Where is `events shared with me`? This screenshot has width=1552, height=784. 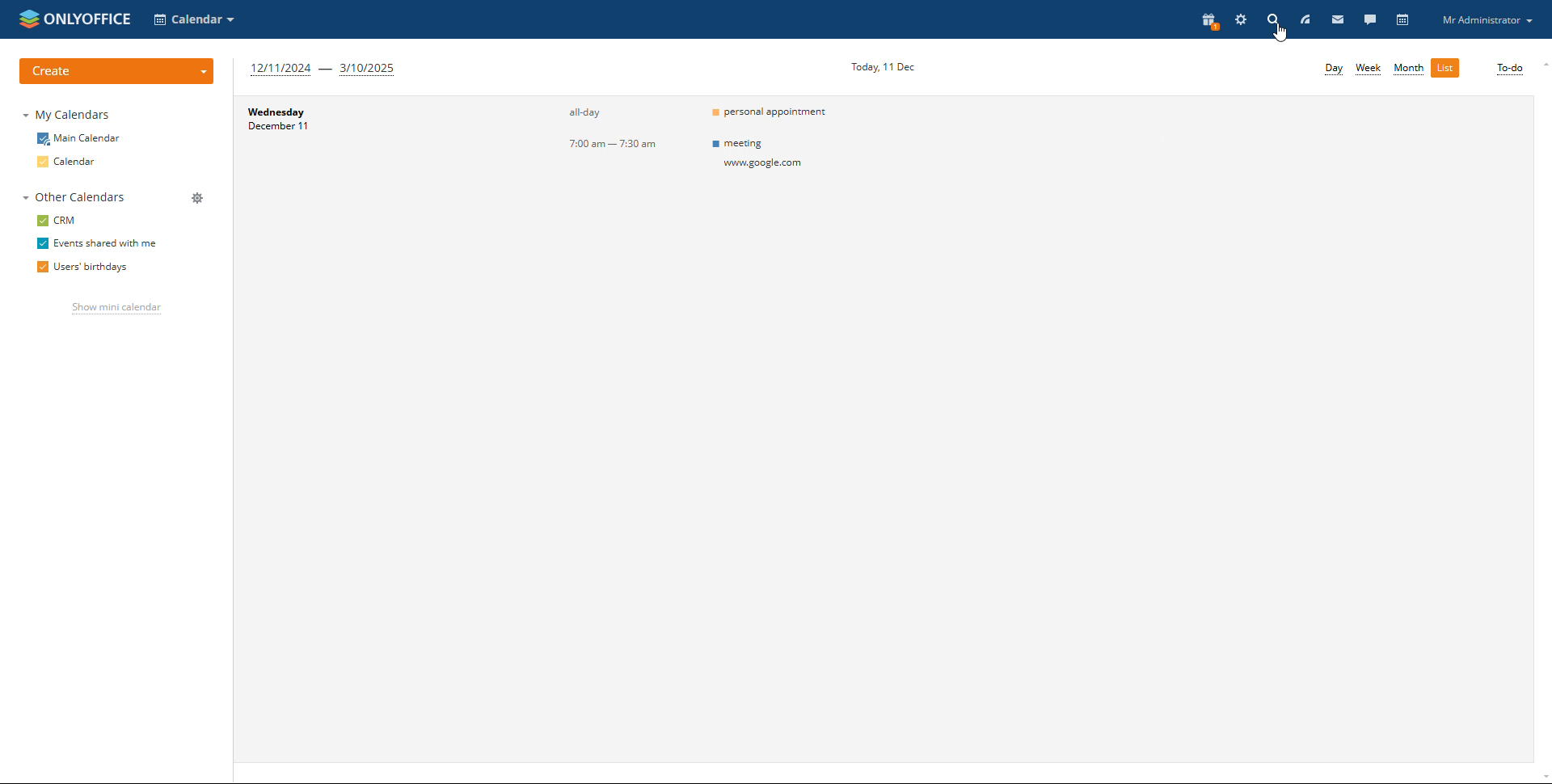
events shared with me is located at coordinates (98, 243).